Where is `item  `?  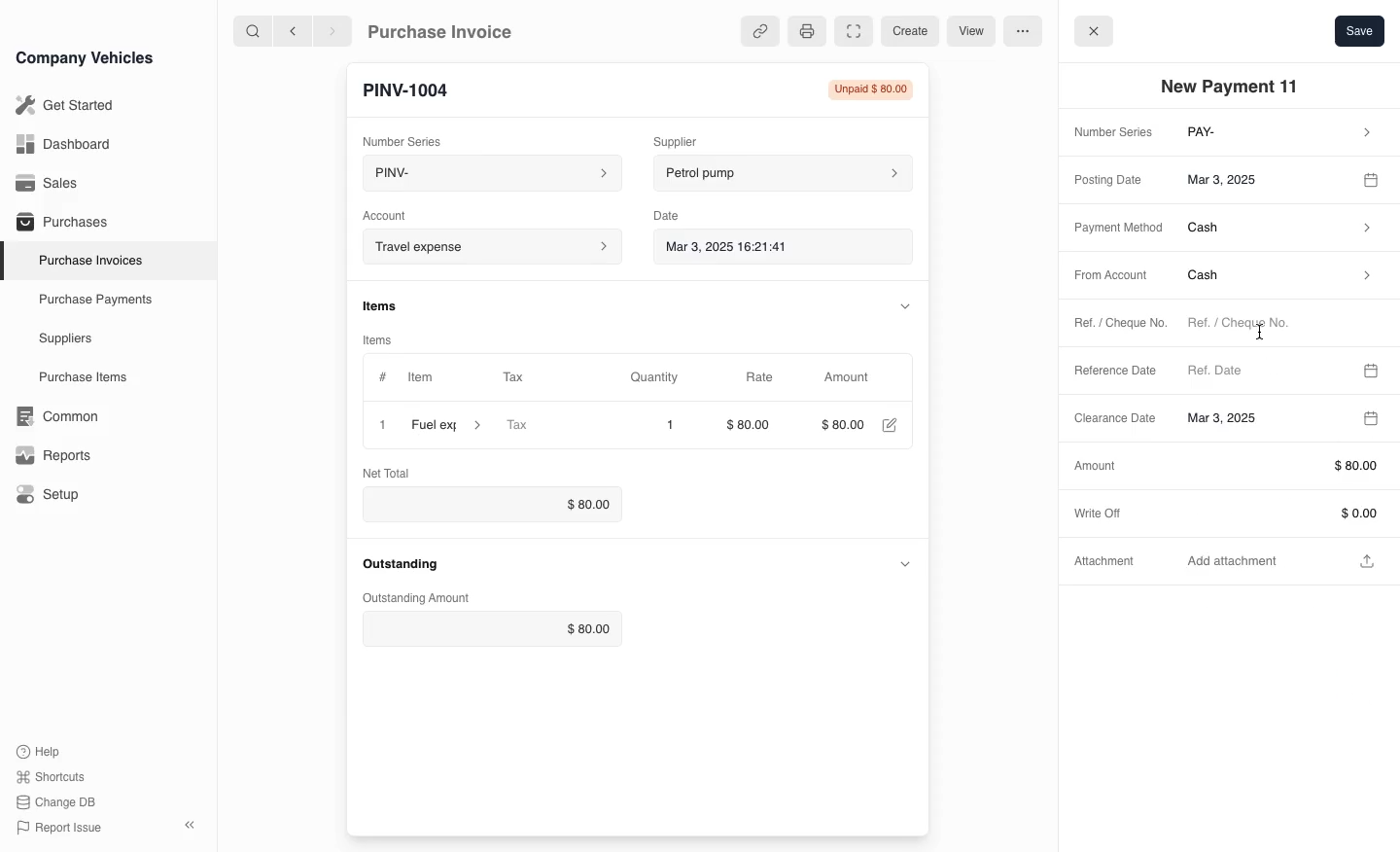 item   is located at coordinates (448, 425).